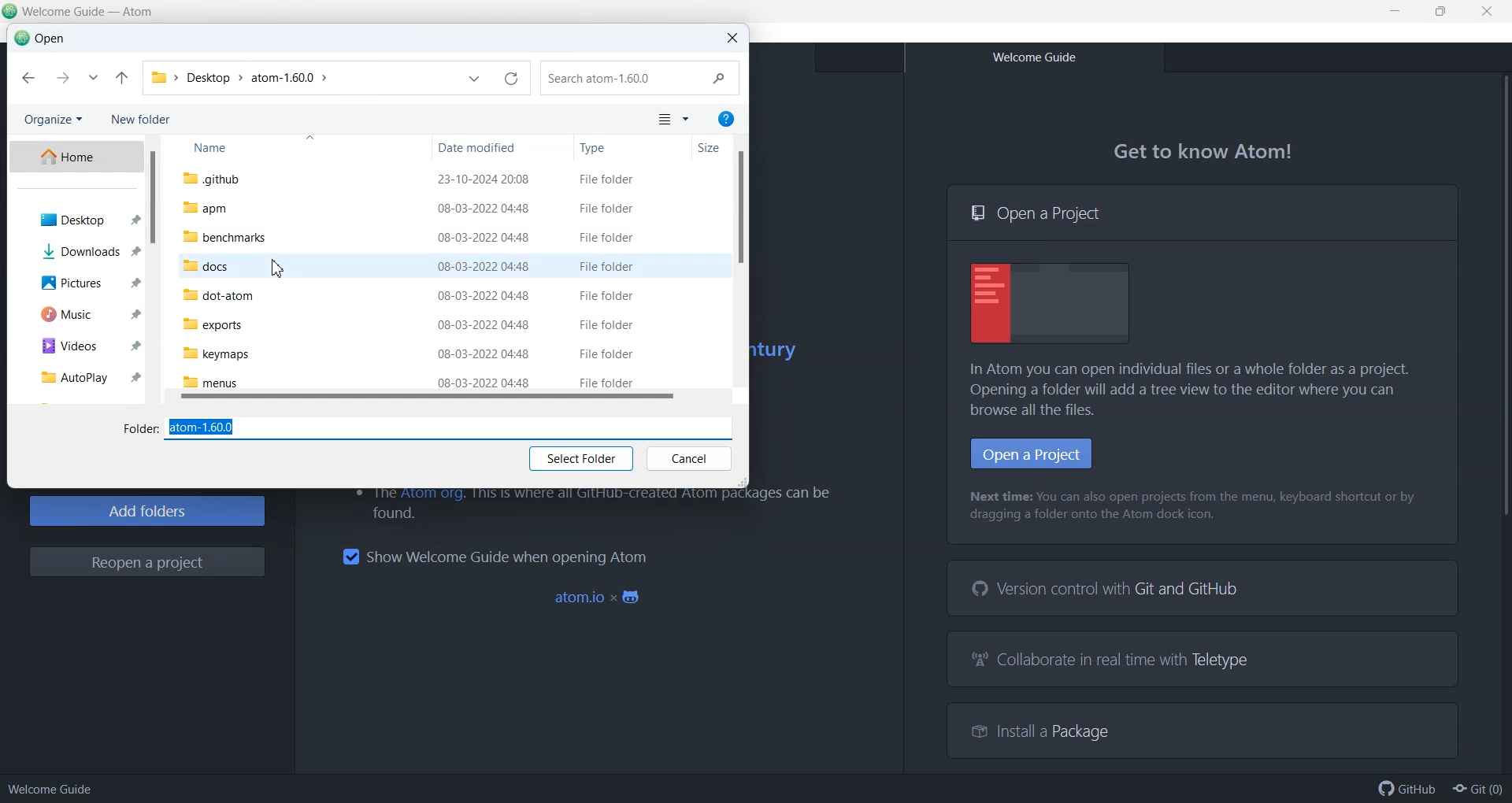 Image resolution: width=1512 pixels, height=803 pixels. I want to click on apm, so click(206, 209).